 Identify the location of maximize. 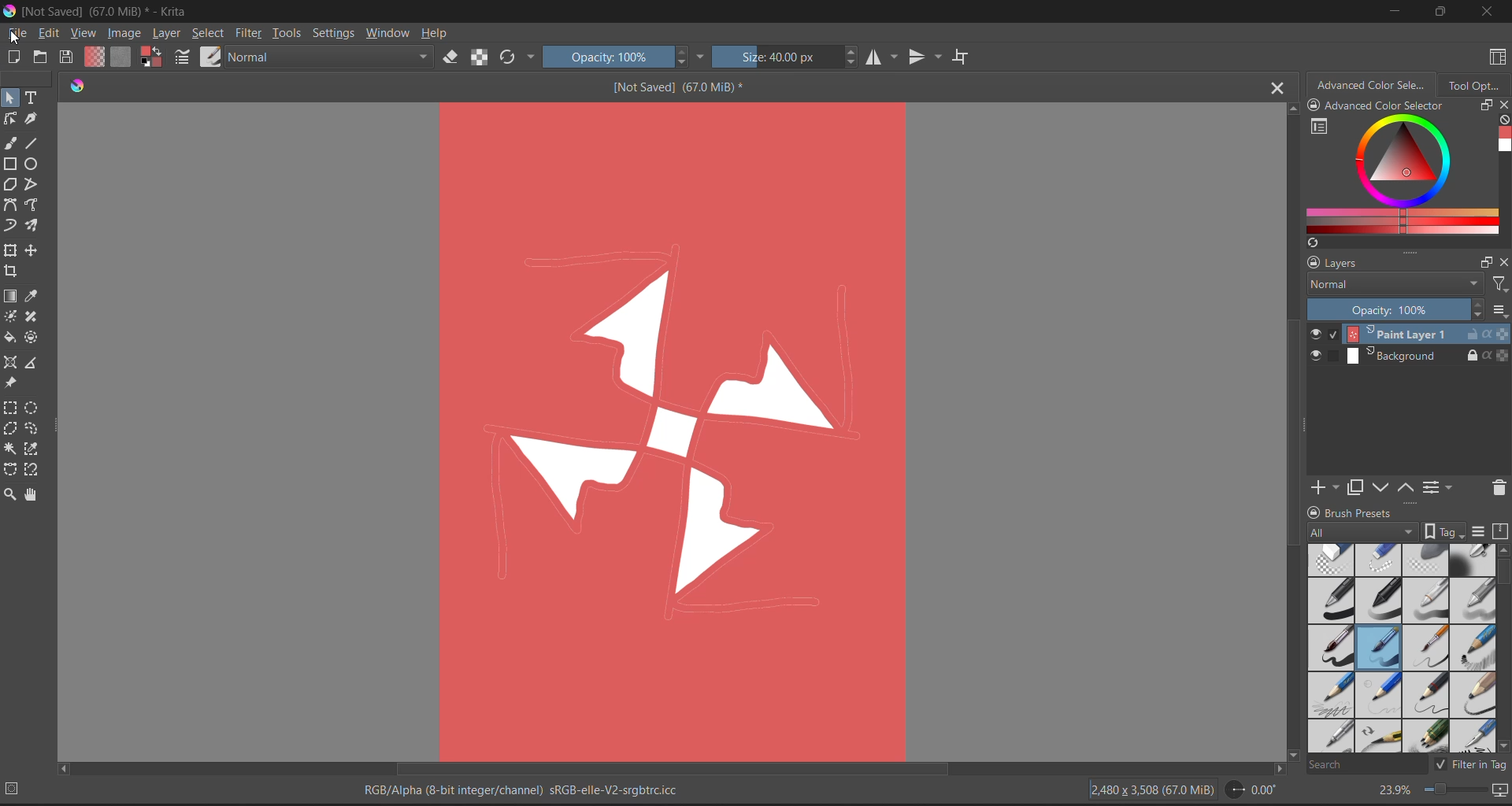
(1440, 10).